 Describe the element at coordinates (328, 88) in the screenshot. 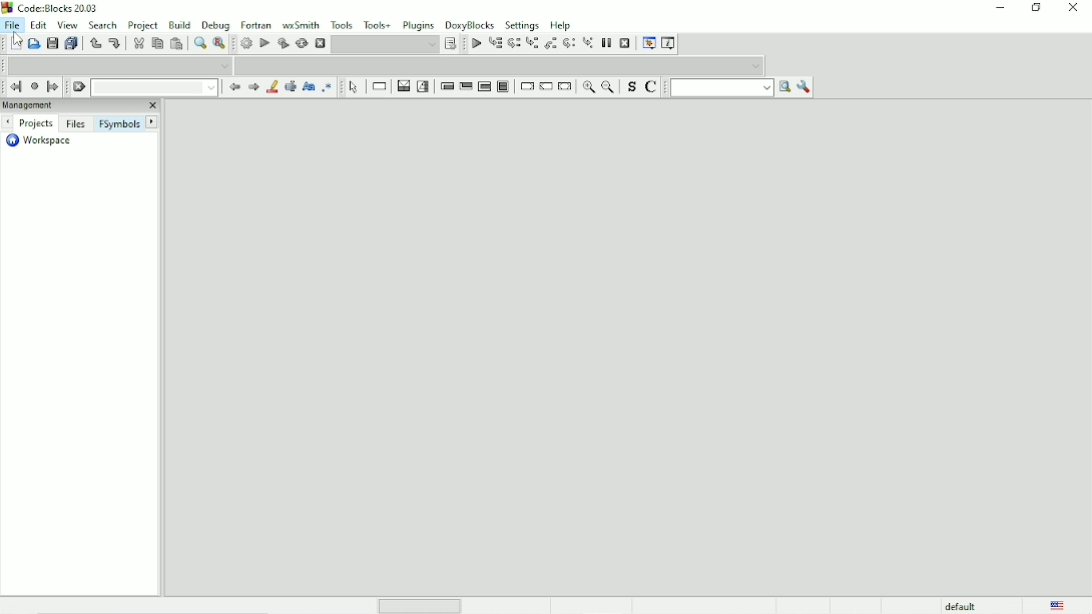

I see `Use regex ` at that location.